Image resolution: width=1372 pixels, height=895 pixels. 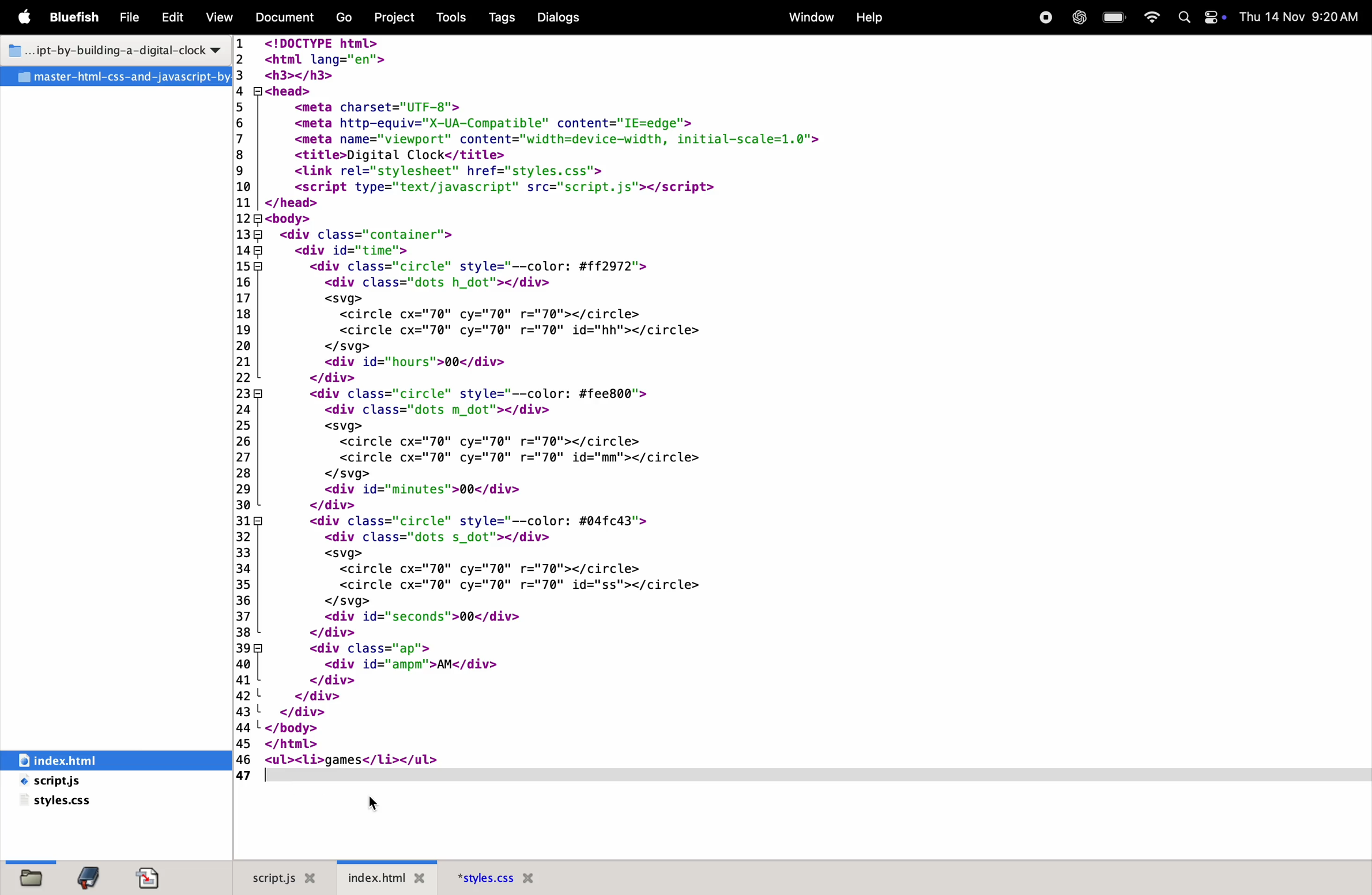 I want to click on Edit, so click(x=172, y=18).